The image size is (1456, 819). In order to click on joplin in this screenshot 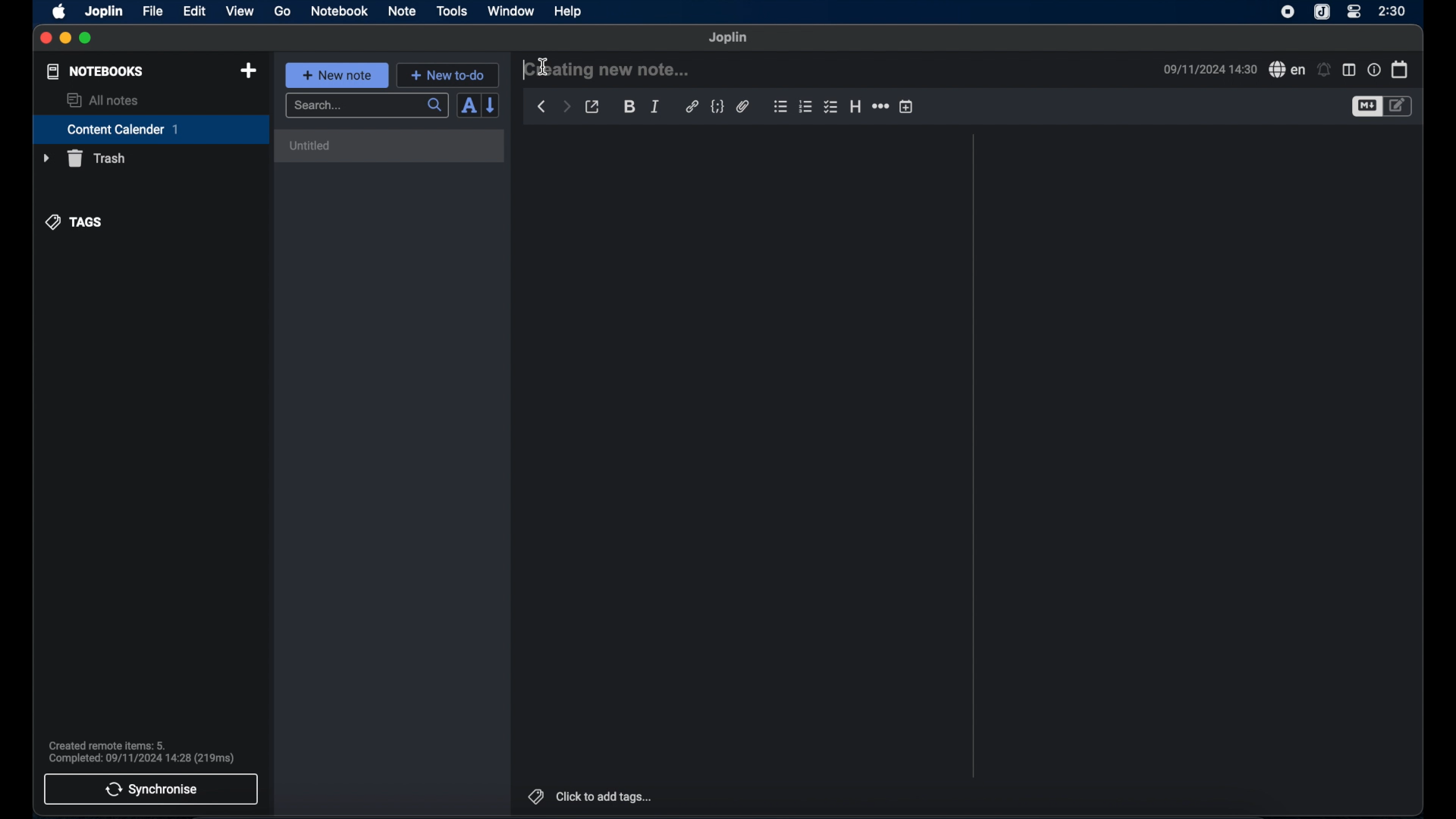, I will do `click(104, 11)`.